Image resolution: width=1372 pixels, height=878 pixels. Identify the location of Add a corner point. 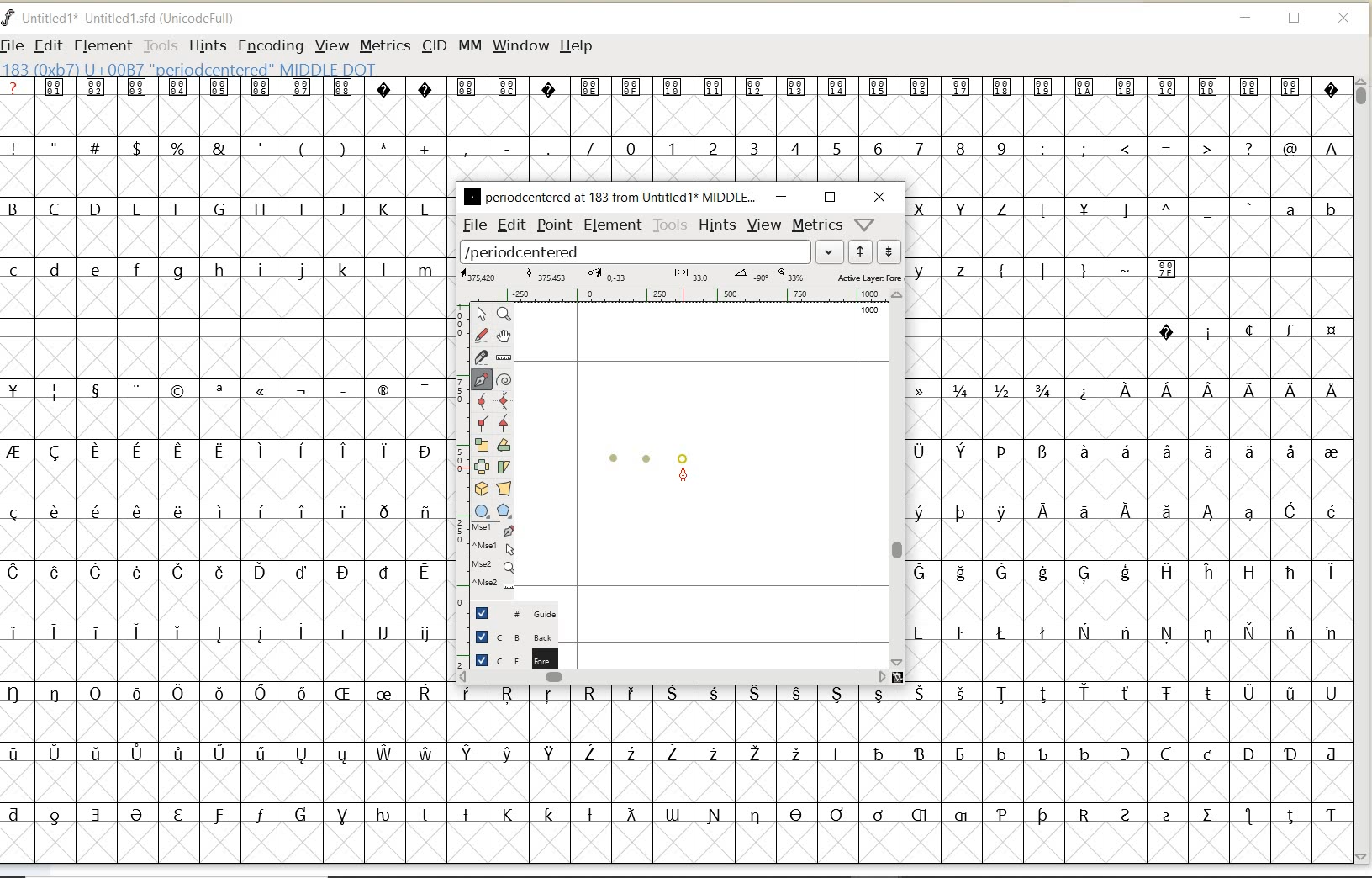
(504, 421).